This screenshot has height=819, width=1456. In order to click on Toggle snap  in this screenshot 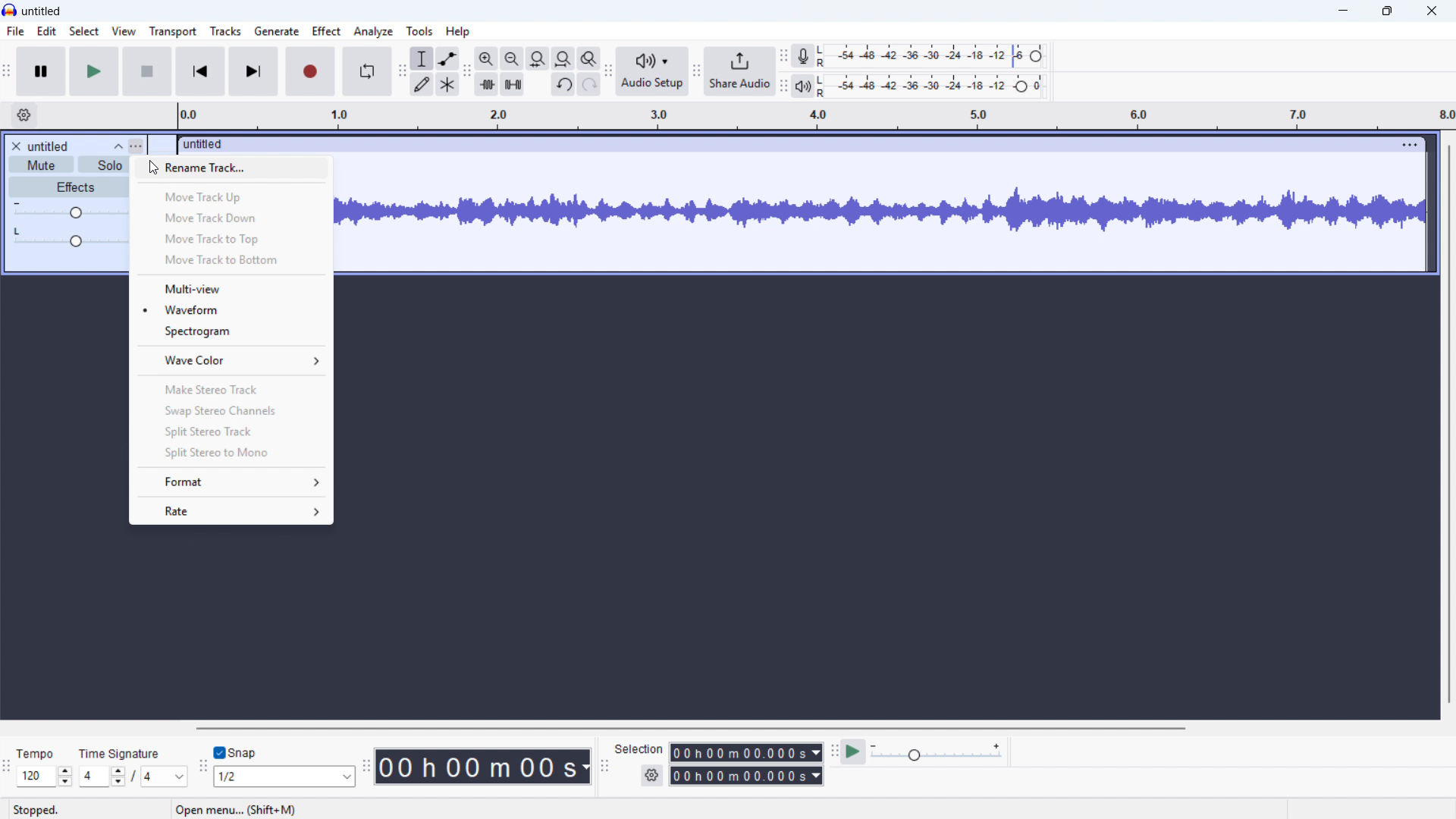, I will do `click(236, 752)`.